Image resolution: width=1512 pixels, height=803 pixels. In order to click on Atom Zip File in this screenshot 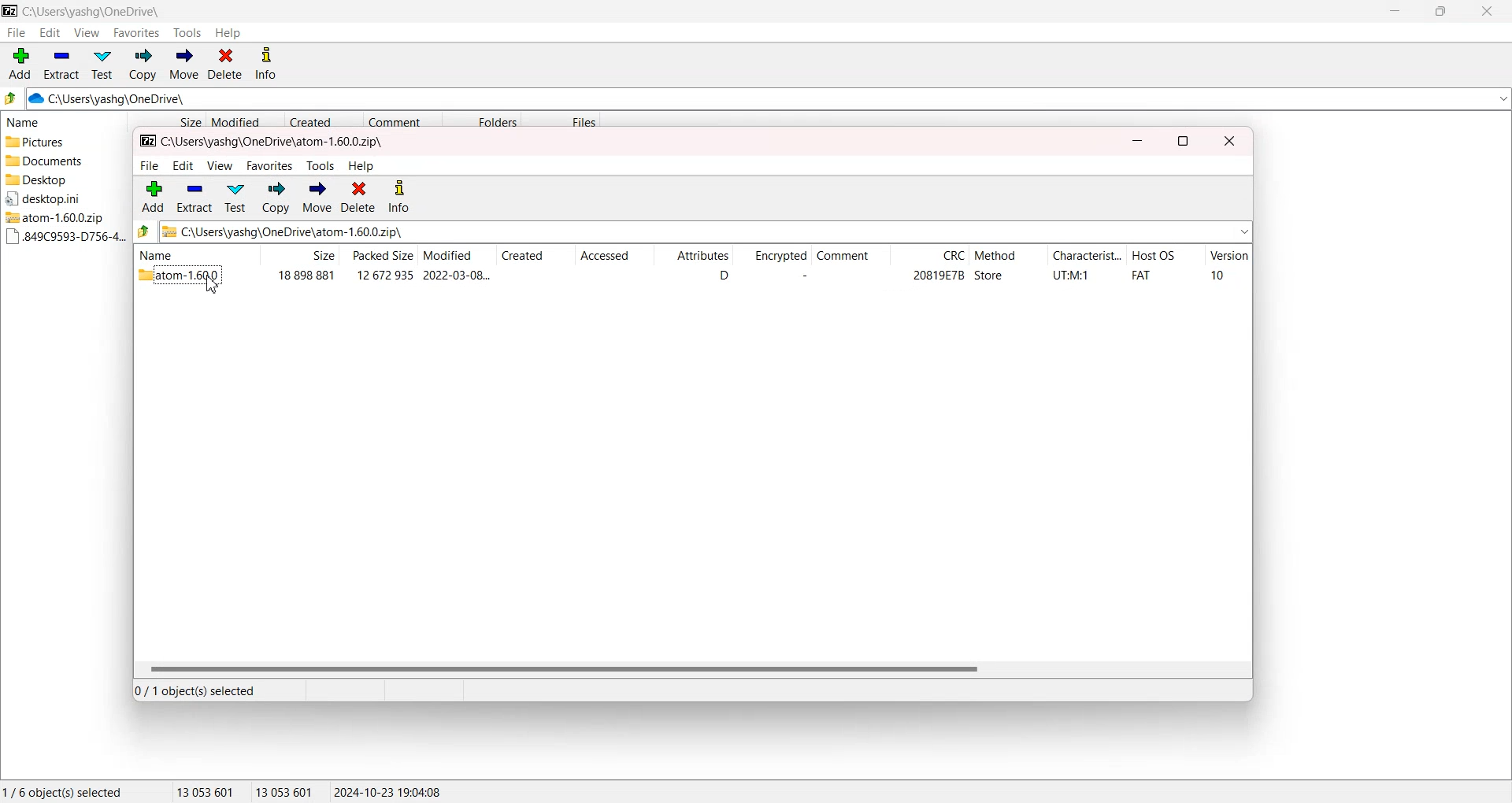, I will do `click(60, 217)`.